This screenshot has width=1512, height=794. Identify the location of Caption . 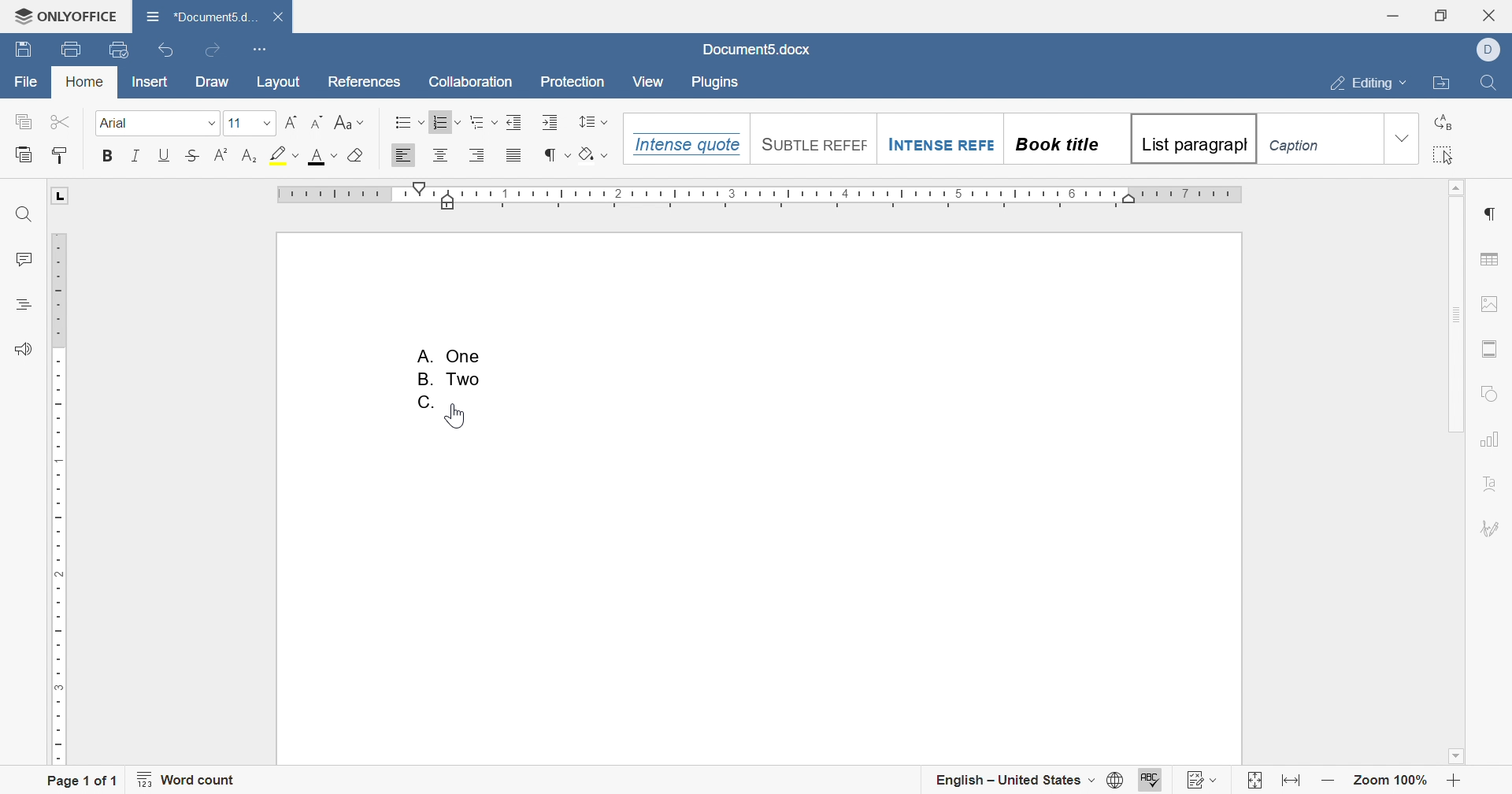
(1299, 147).